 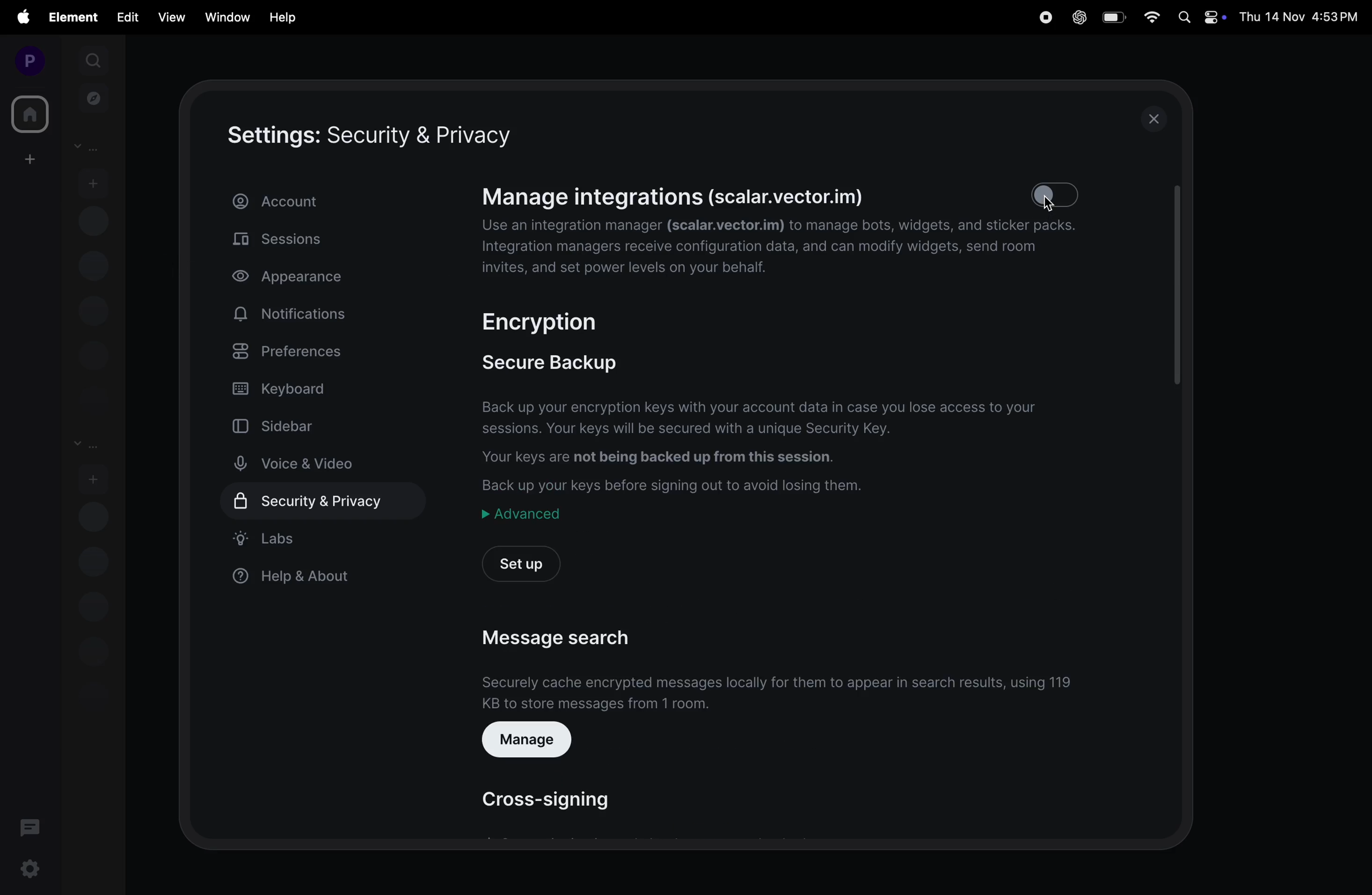 I want to click on edit, so click(x=124, y=19).